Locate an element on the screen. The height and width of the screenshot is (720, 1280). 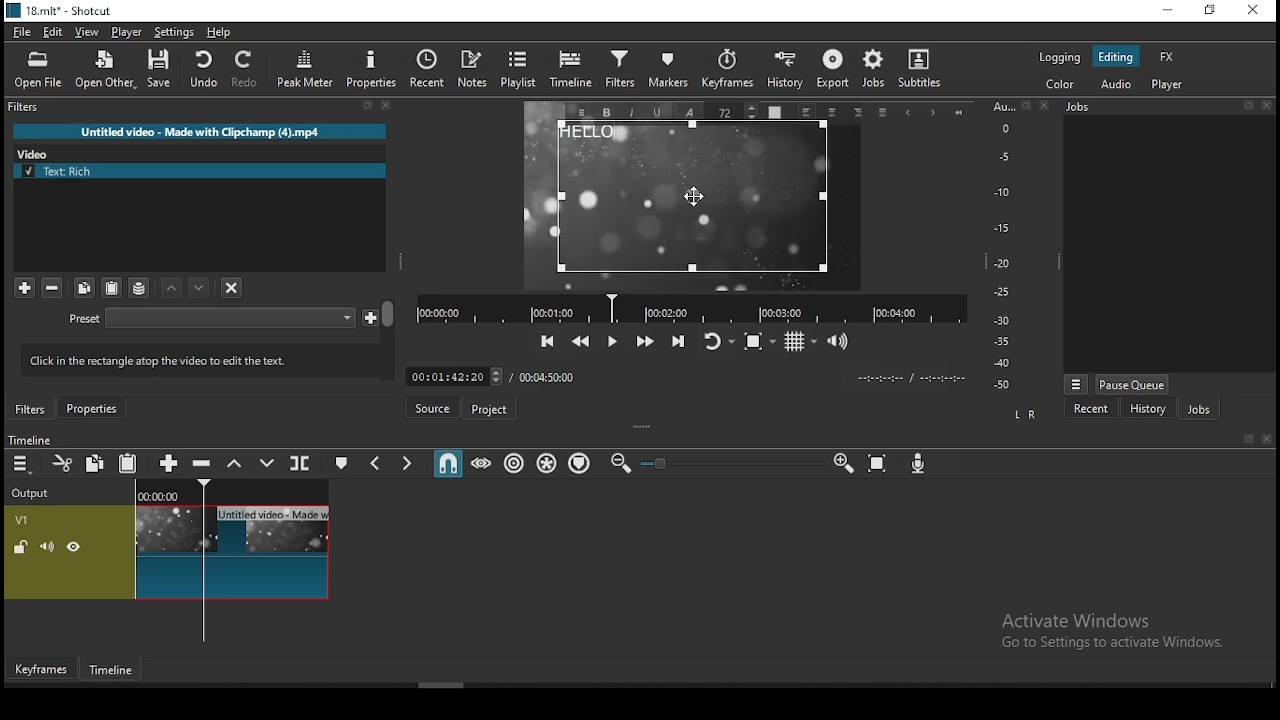
copy is located at coordinates (85, 288).